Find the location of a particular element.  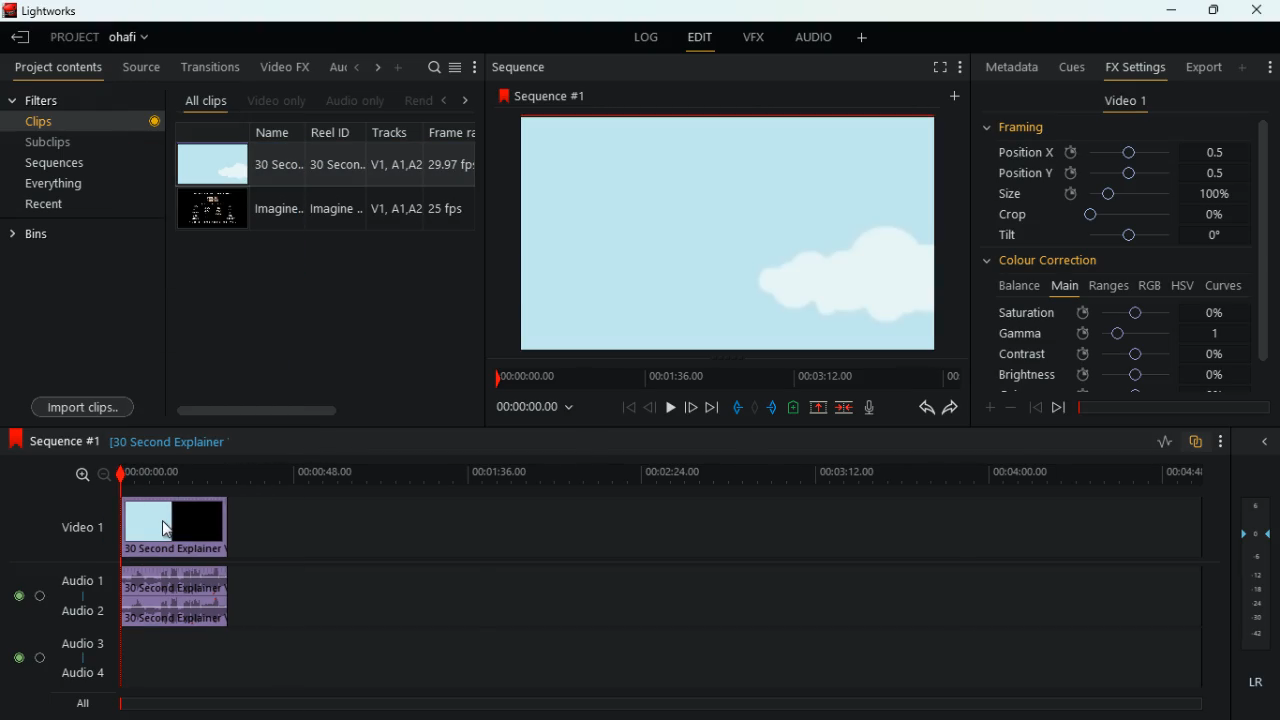

leave is located at coordinates (20, 37).